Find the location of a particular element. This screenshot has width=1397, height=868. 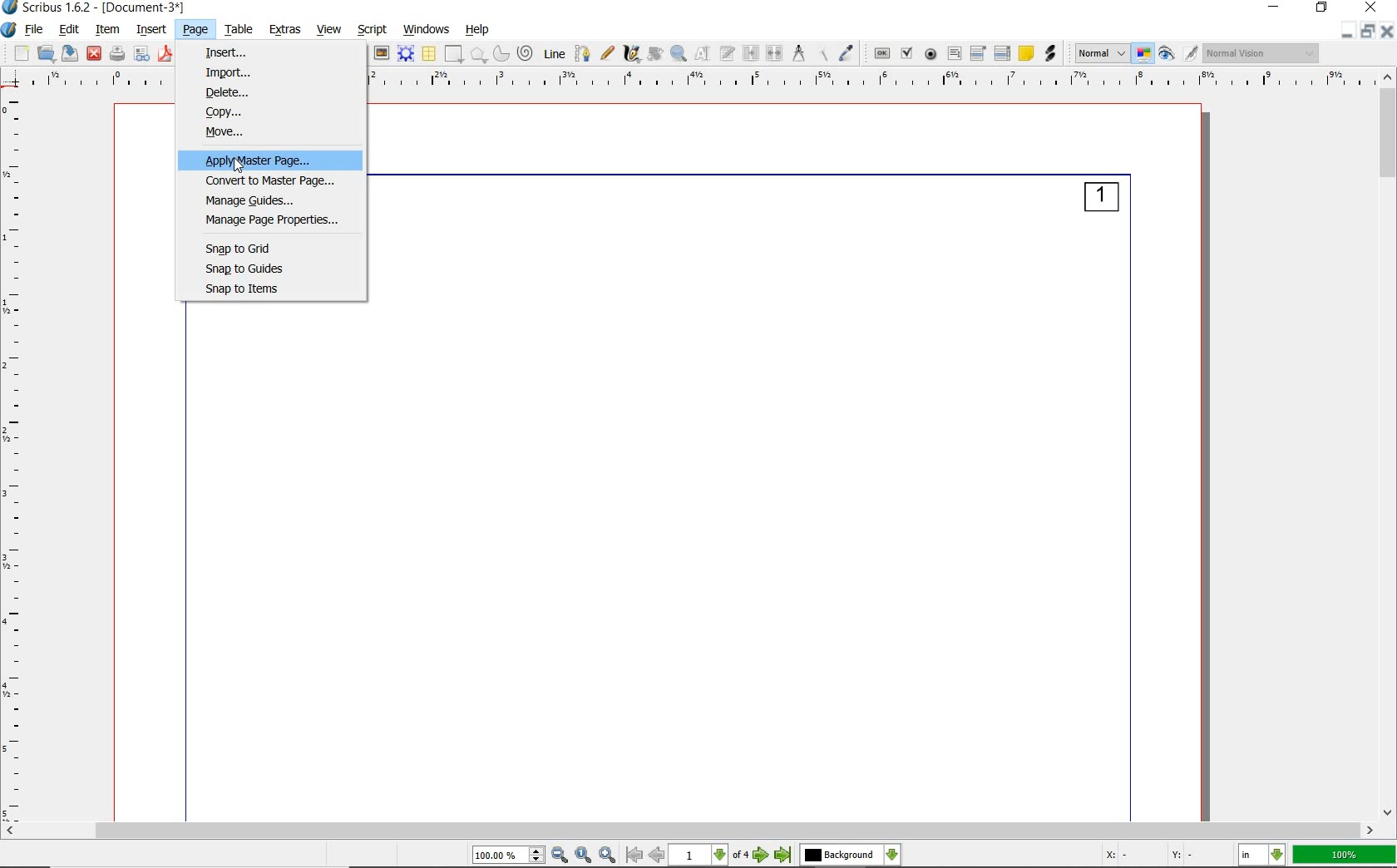

restore is located at coordinates (1369, 32).